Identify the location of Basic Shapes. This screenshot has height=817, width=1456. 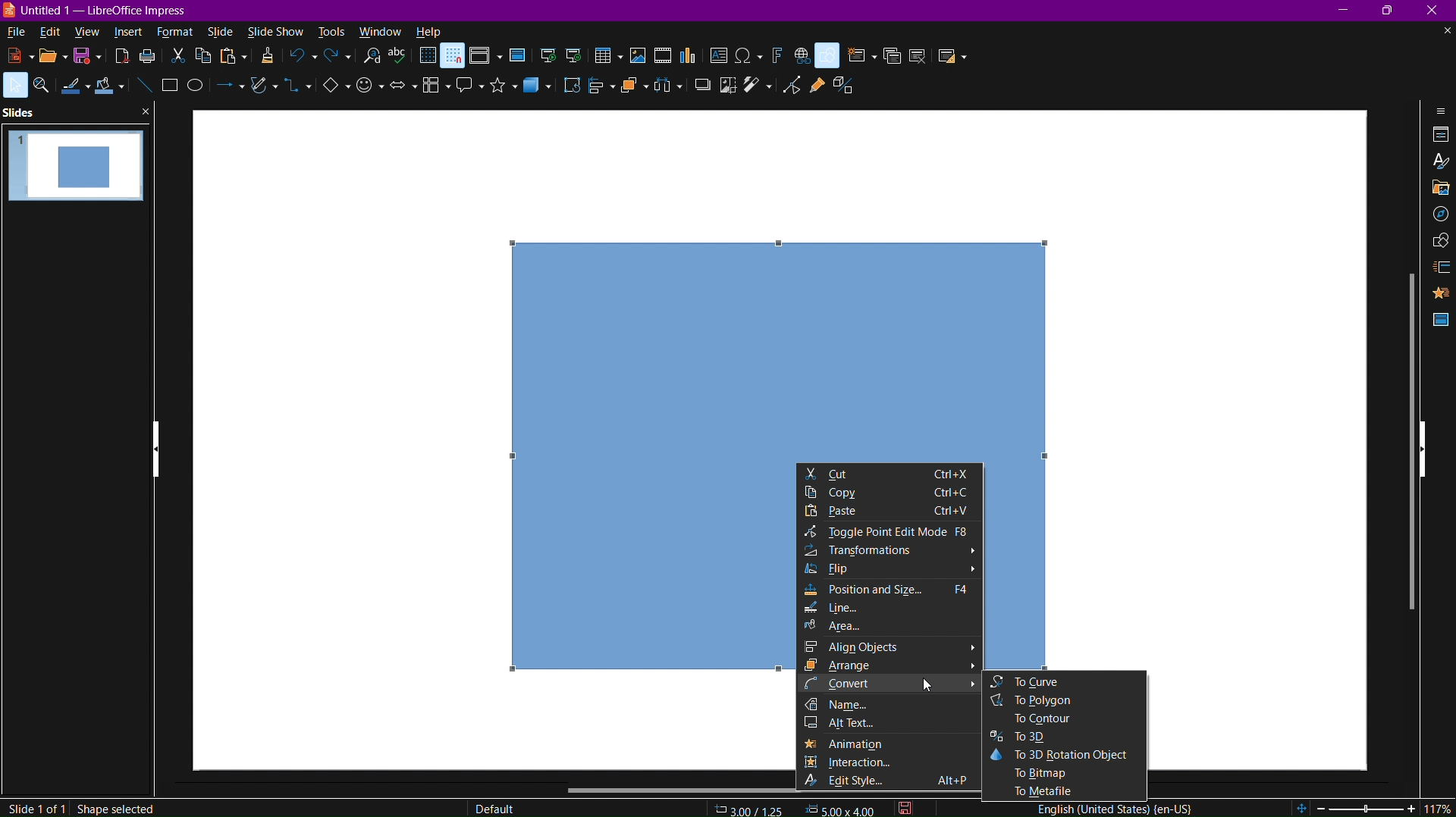
(830, 55).